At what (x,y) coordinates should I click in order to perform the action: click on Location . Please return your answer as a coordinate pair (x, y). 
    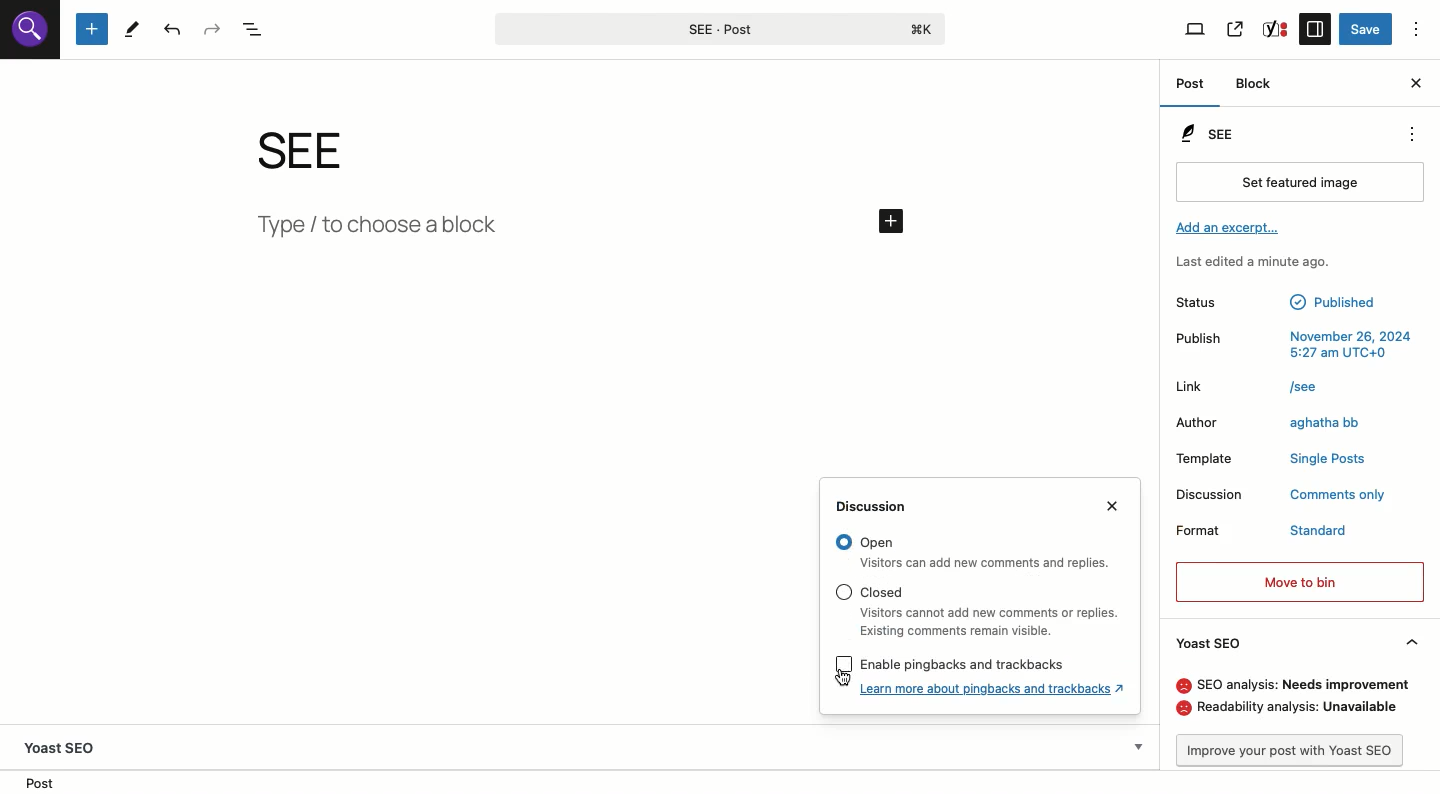
    Looking at the image, I should click on (43, 782).